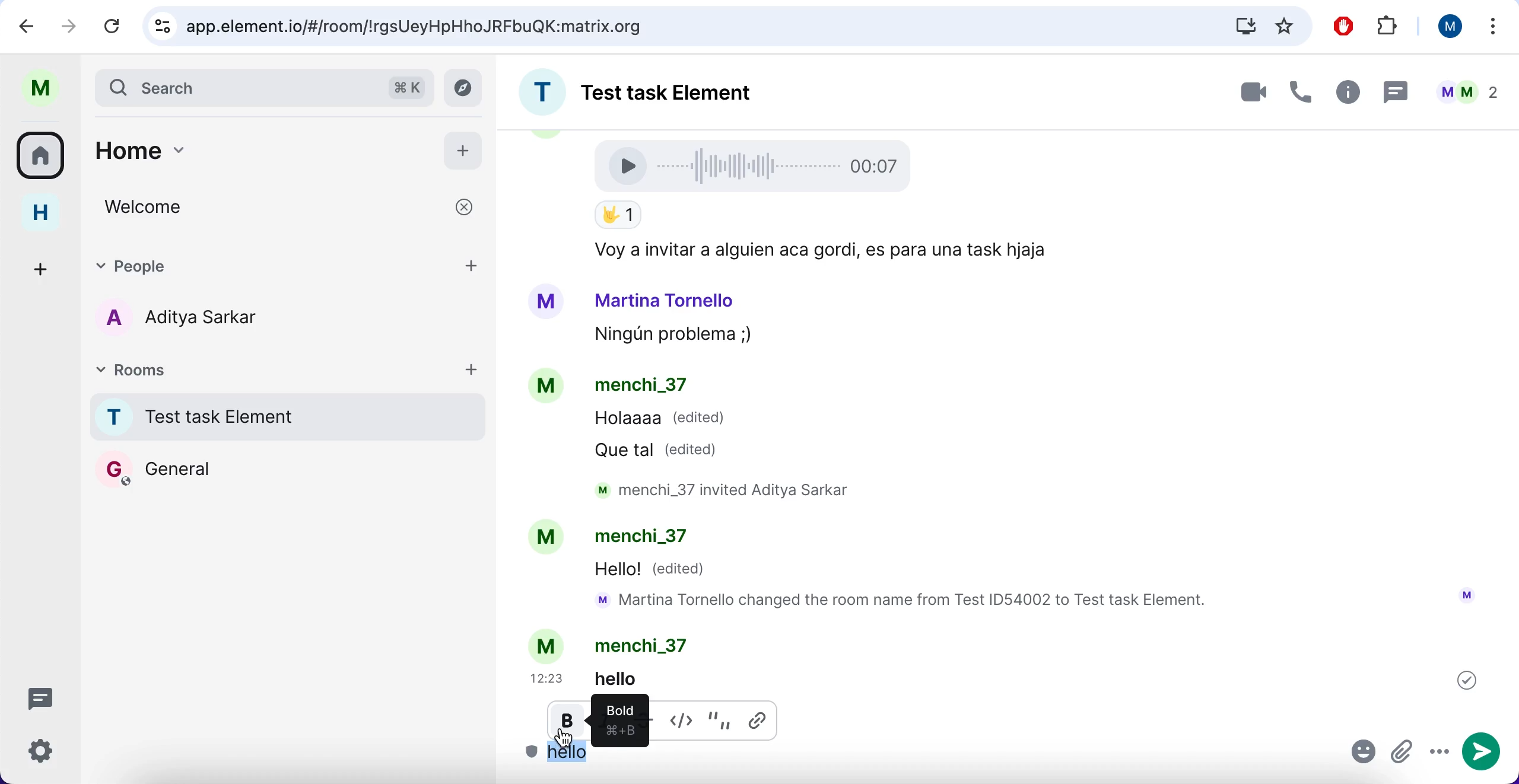  I want to click on ad block, so click(1346, 27).